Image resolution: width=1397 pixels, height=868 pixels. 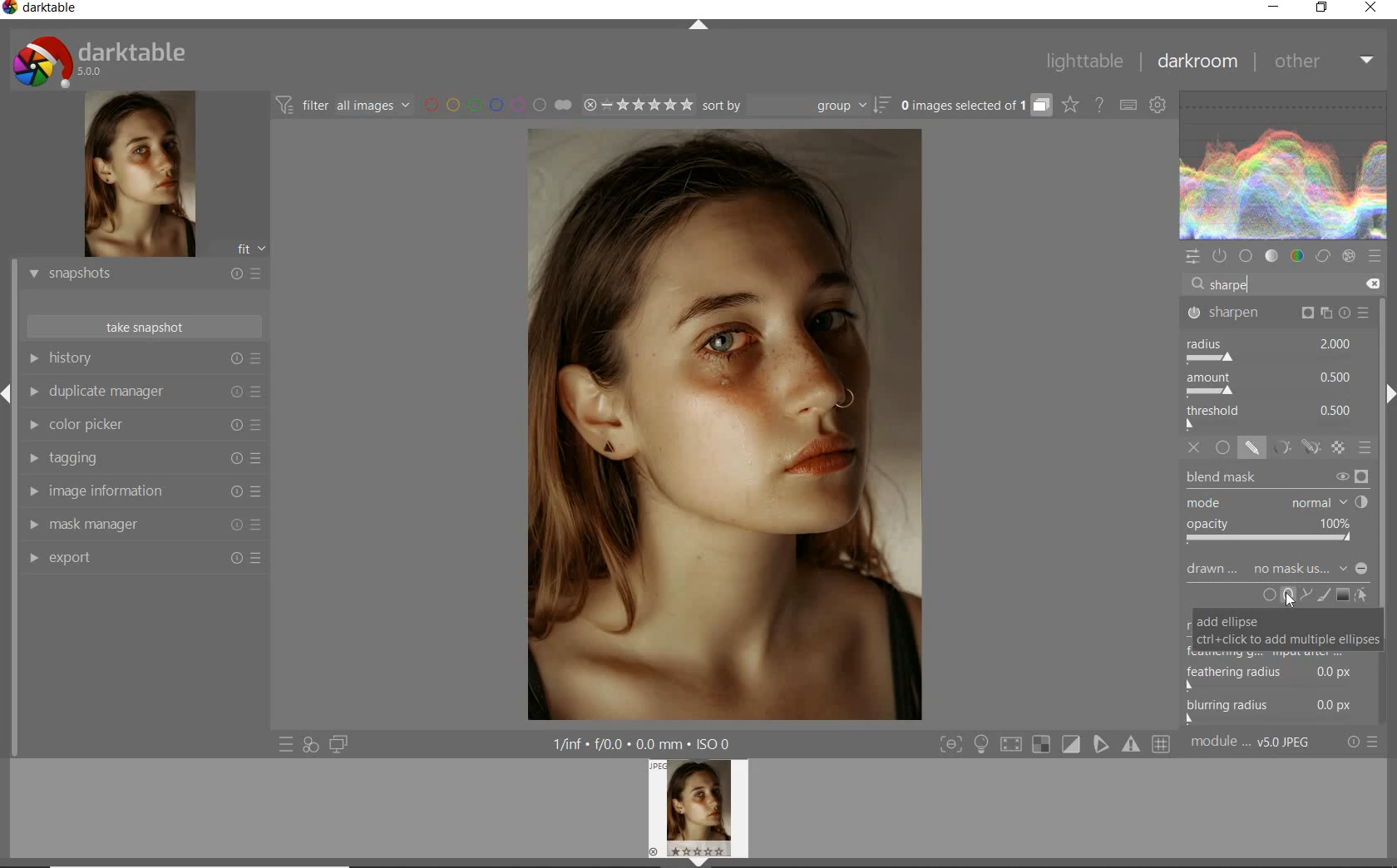 I want to click on IMAGE, so click(x=703, y=811).